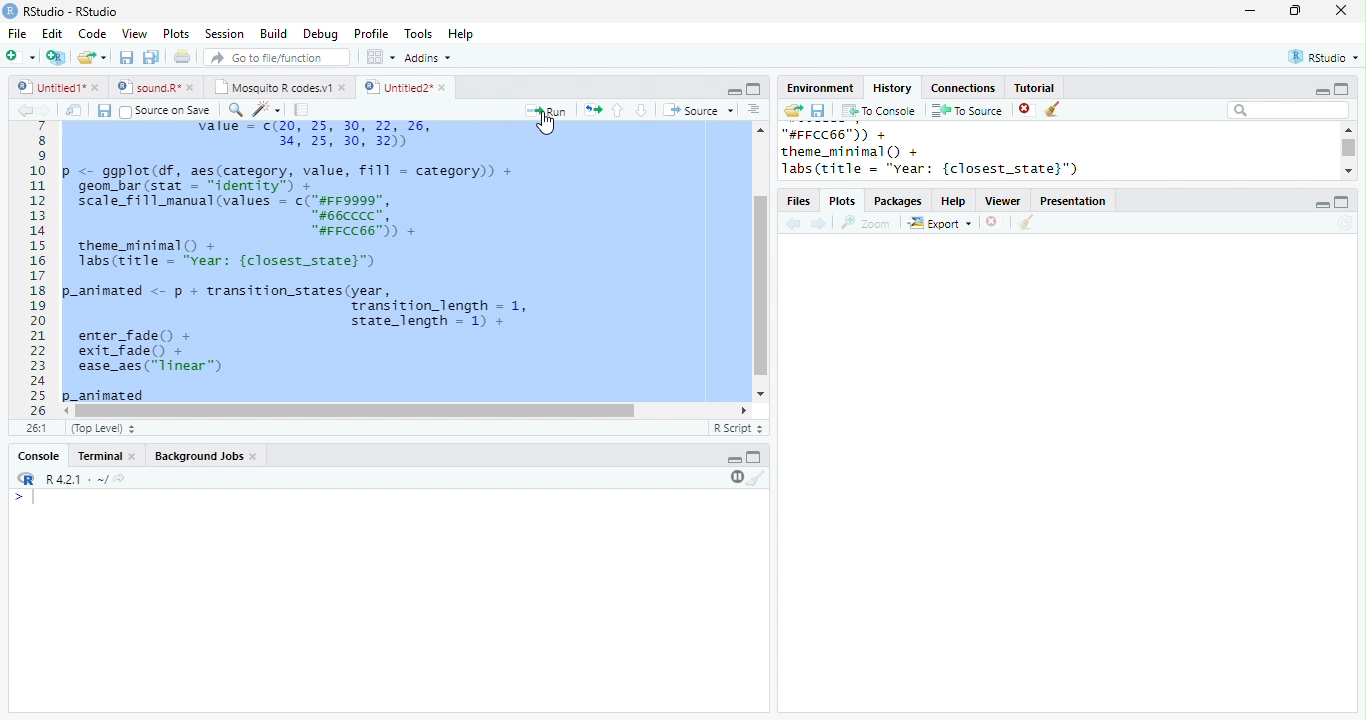 The image size is (1366, 720). Describe the element at coordinates (618, 111) in the screenshot. I see `up` at that location.